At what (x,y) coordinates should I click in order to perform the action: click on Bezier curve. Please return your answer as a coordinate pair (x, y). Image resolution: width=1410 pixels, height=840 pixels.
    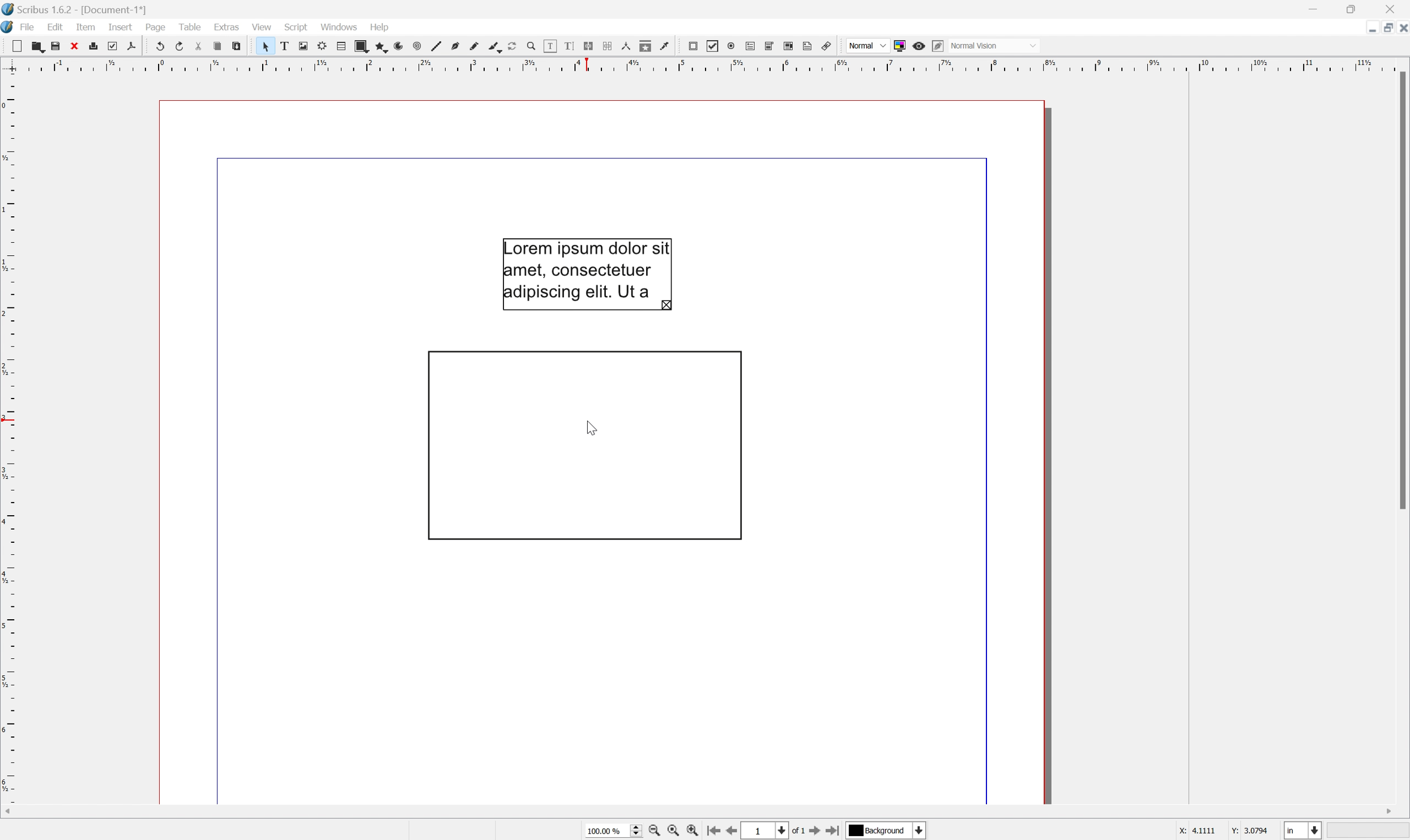
    Looking at the image, I should click on (452, 48).